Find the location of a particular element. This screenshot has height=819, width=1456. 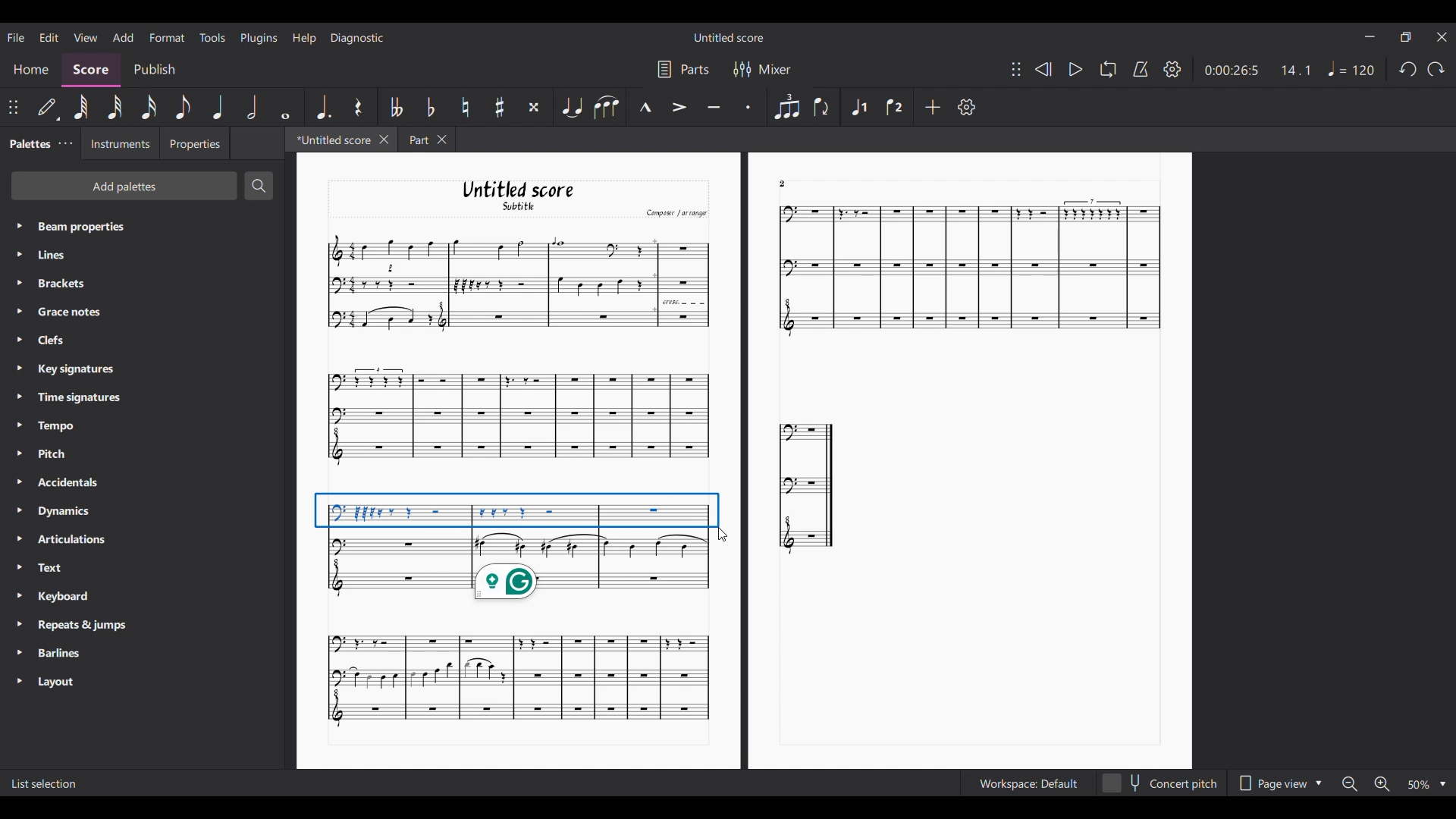

Staccato  is located at coordinates (750, 105).